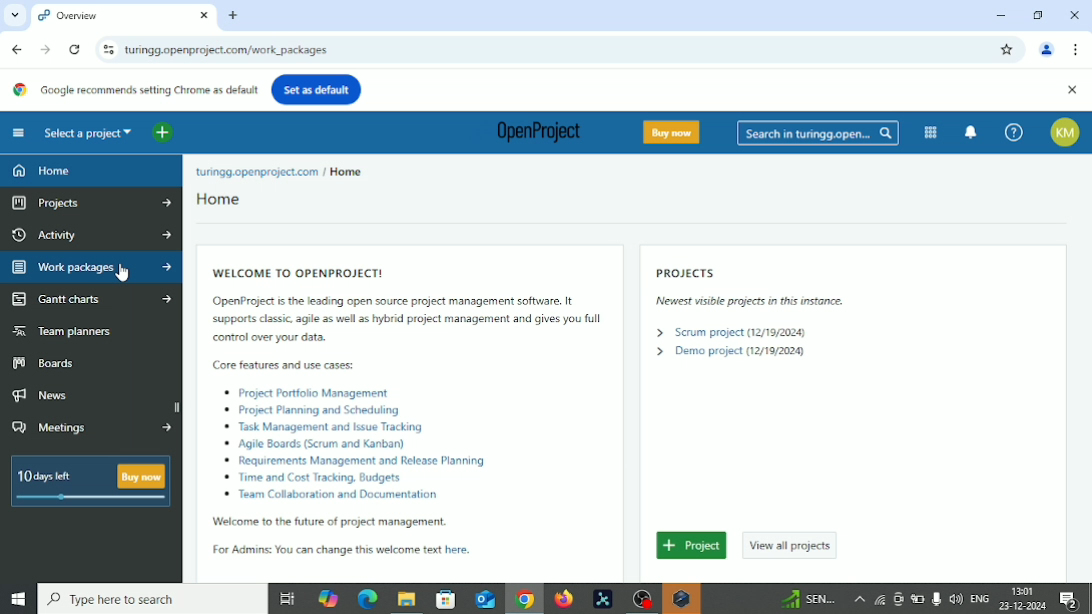 This screenshot has width=1092, height=614. I want to click on Sensex, so click(807, 599).